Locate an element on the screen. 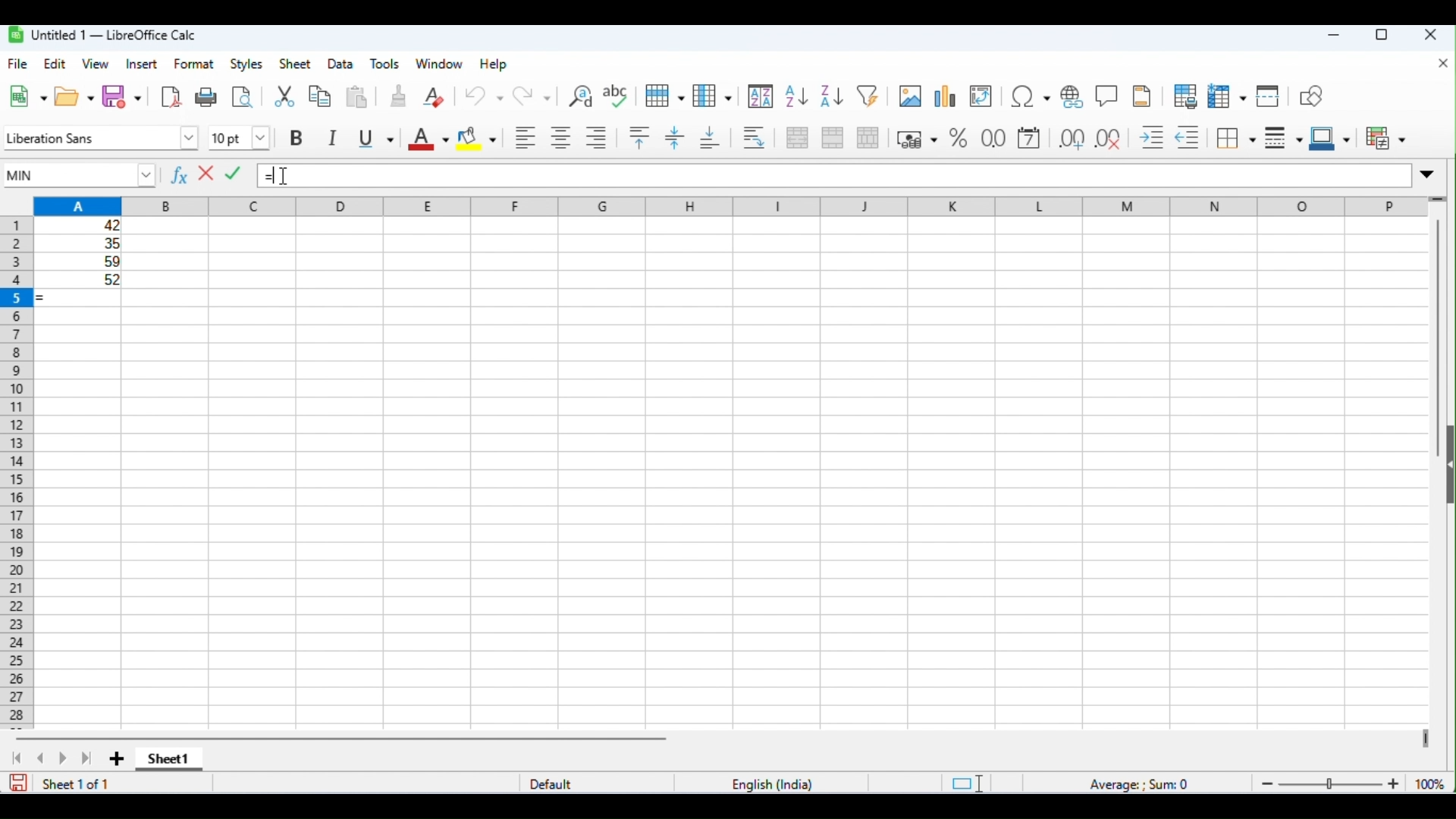  = is located at coordinates (270, 178).